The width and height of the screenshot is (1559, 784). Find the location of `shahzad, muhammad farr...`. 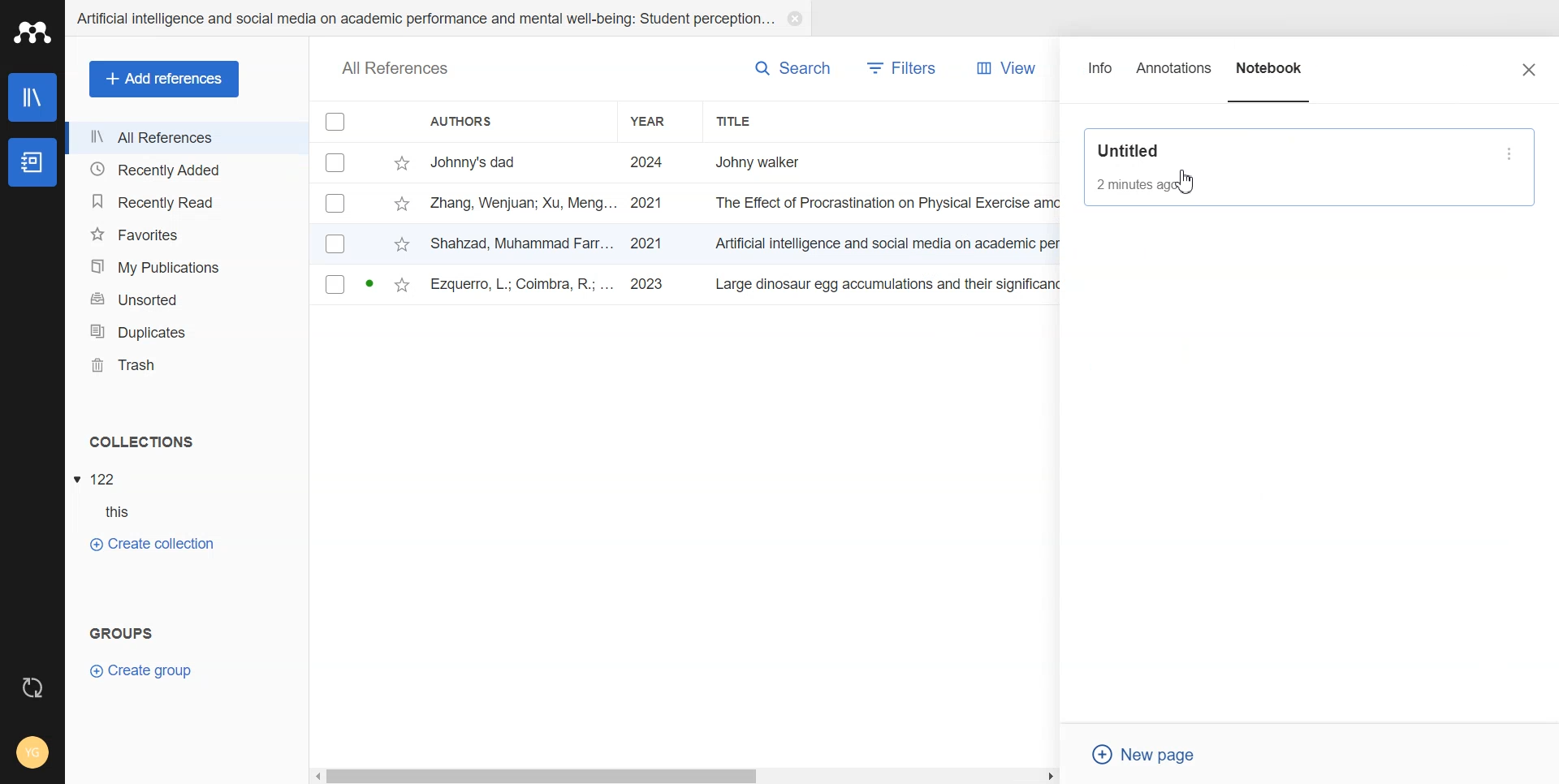

shahzad, muhammad farr... is located at coordinates (524, 243).